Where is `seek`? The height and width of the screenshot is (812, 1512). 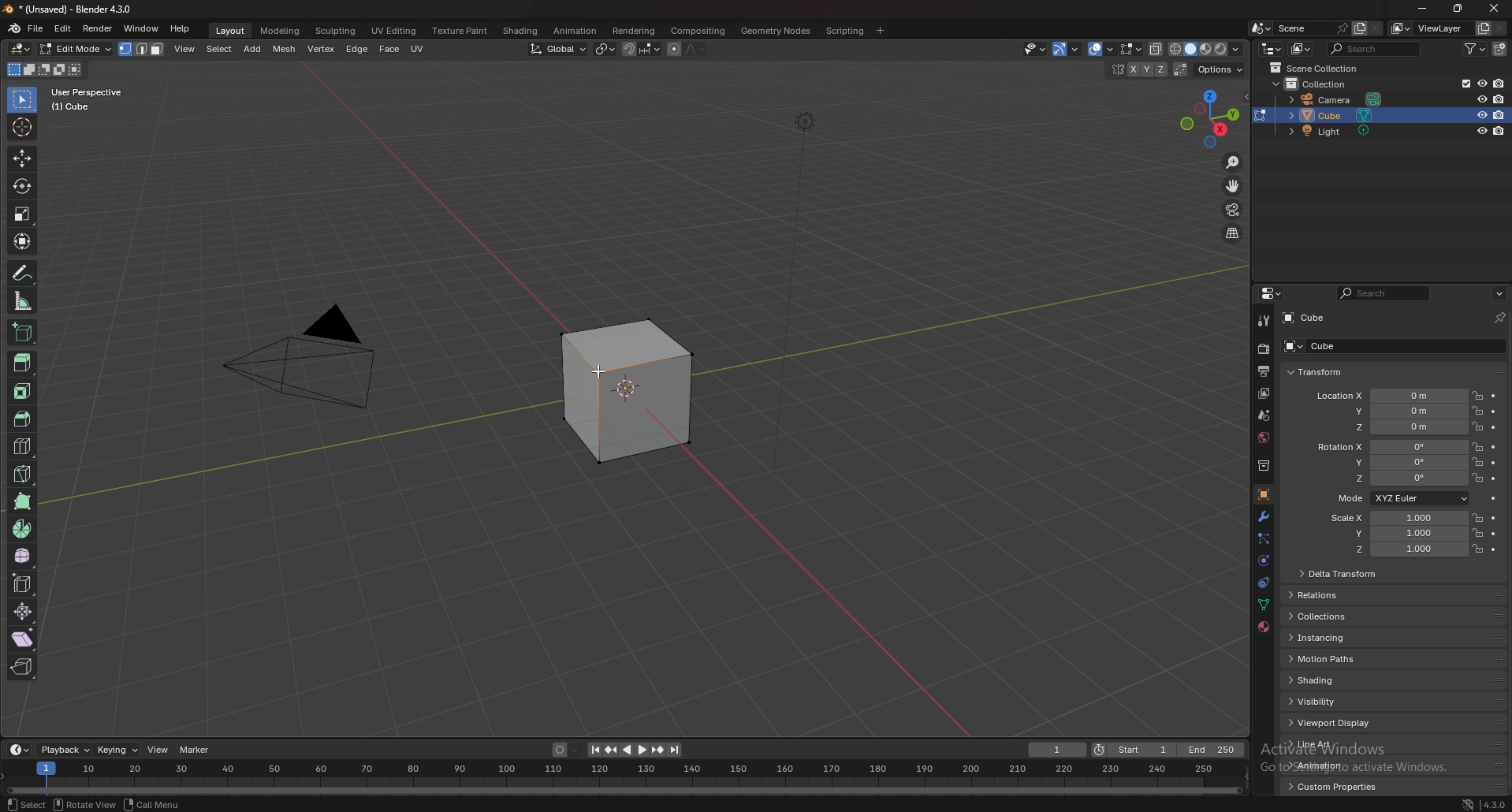
seek is located at coordinates (628, 778).